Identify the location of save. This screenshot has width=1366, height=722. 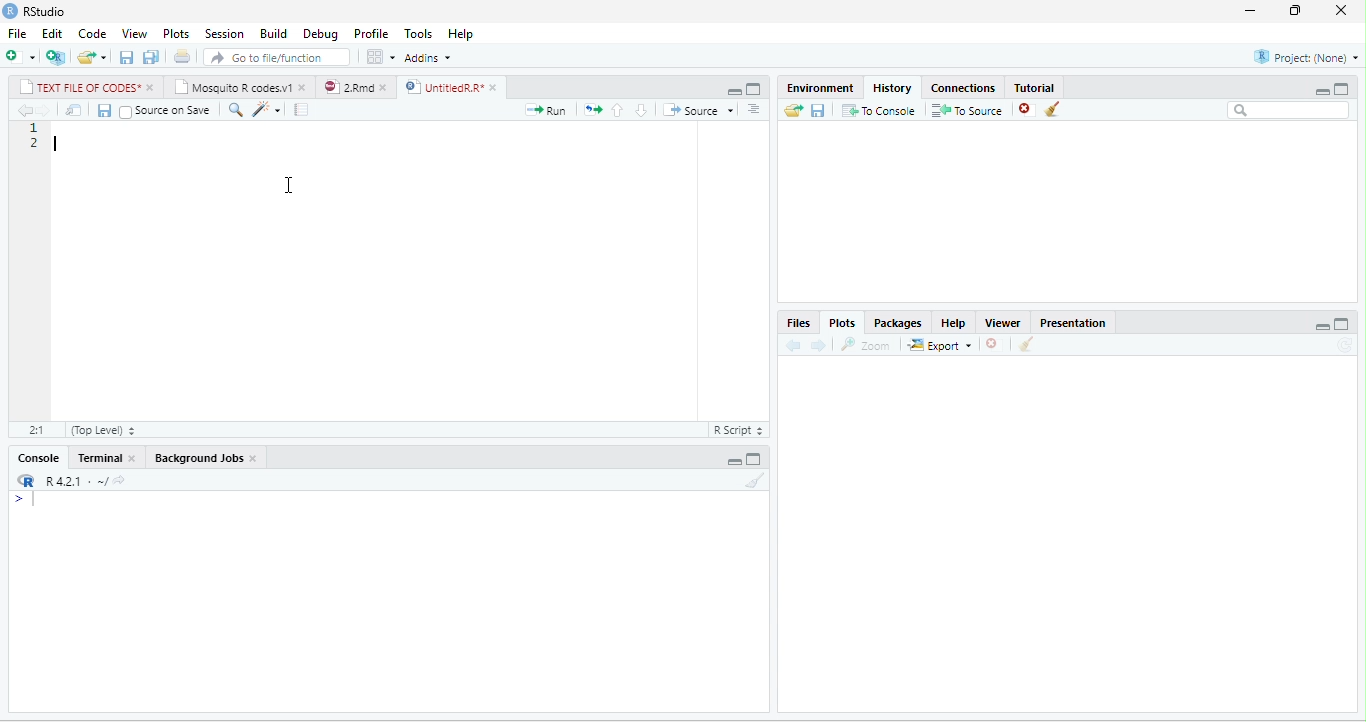
(104, 110).